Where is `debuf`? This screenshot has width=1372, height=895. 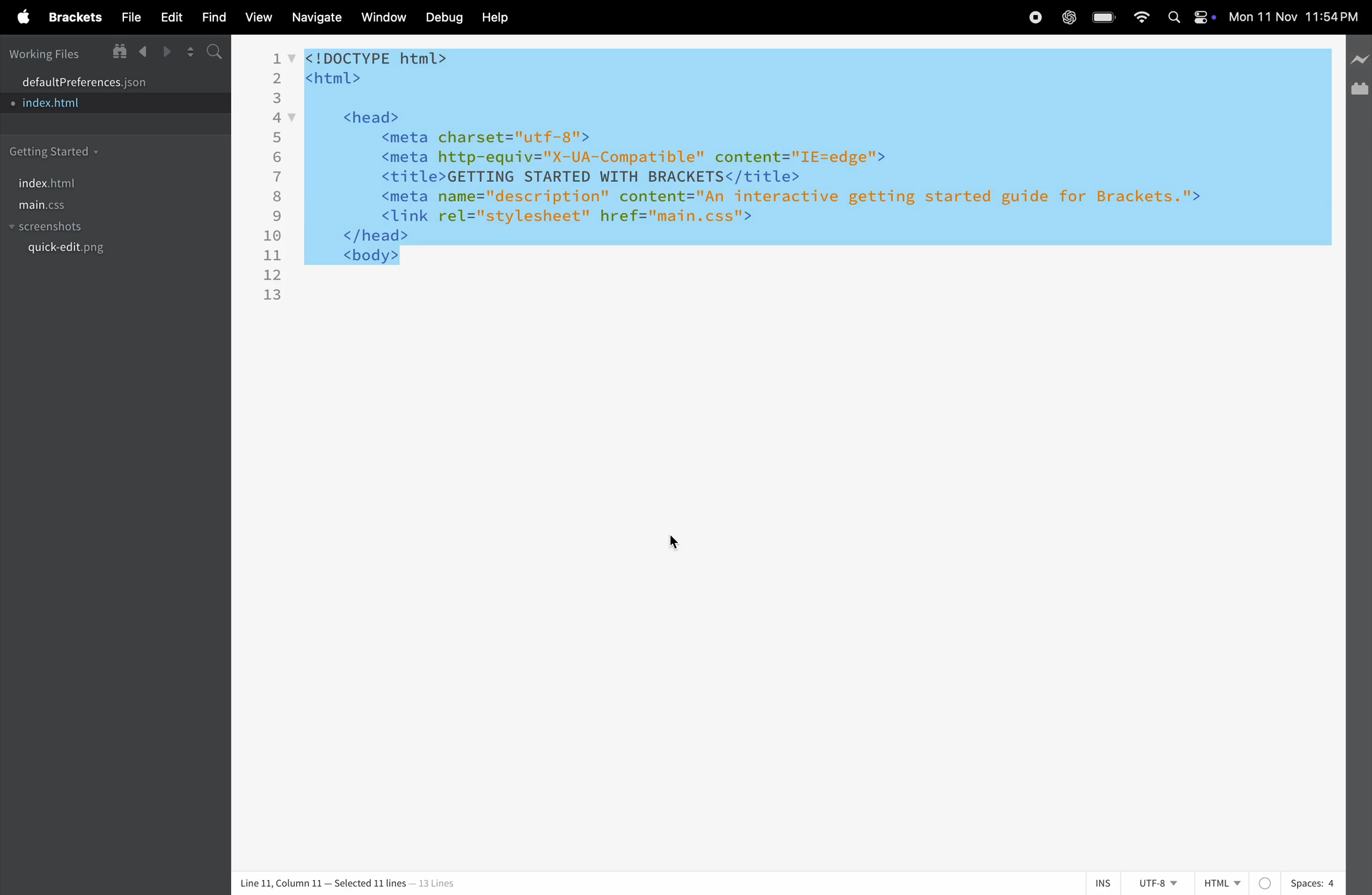 debuf is located at coordinates (444, 18).